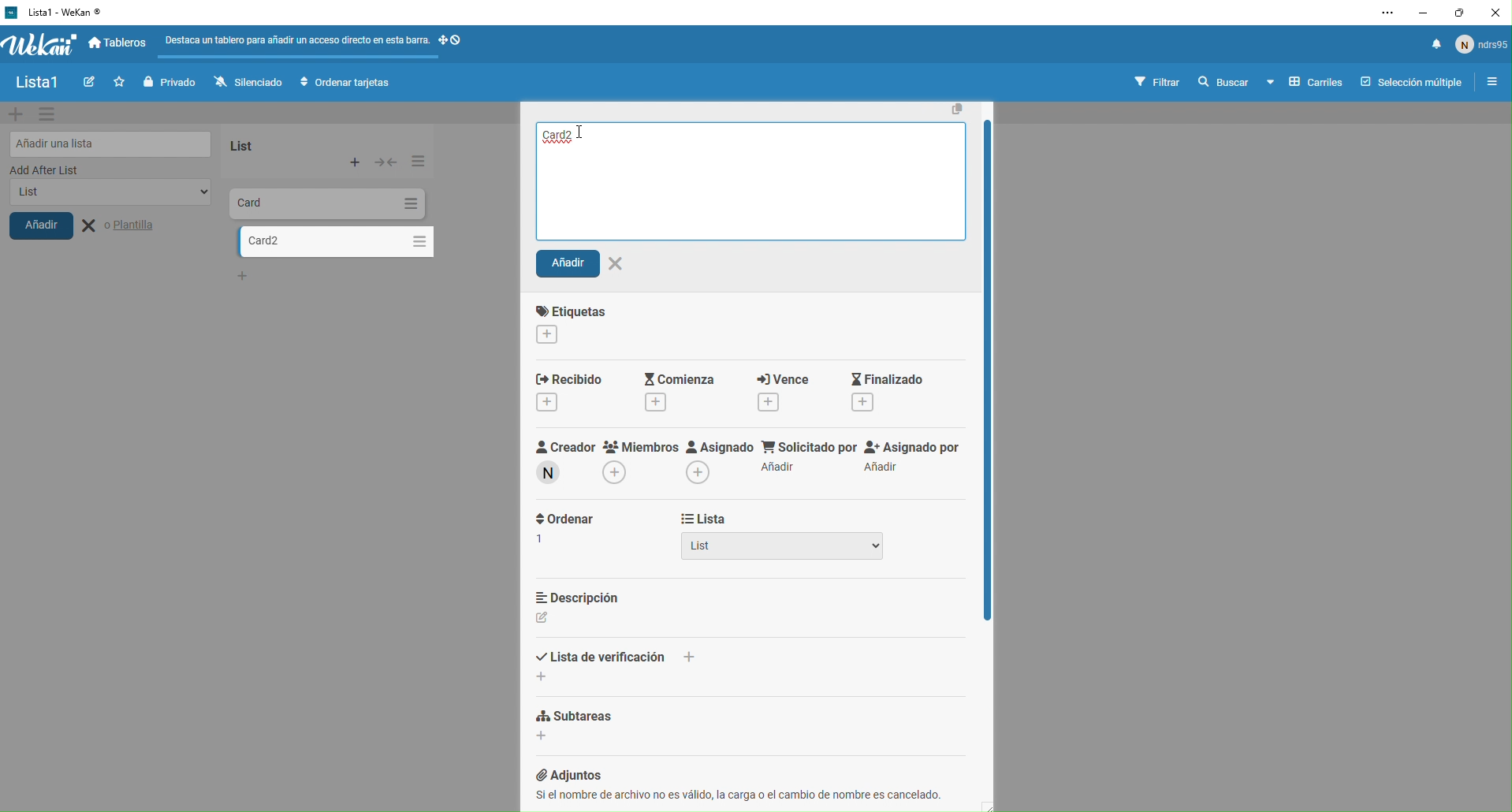 The image size is (1512, 812). What do you see at coordinates (416, 161) in the screenshot?
I see `Options` at bounding box center [416, 161].